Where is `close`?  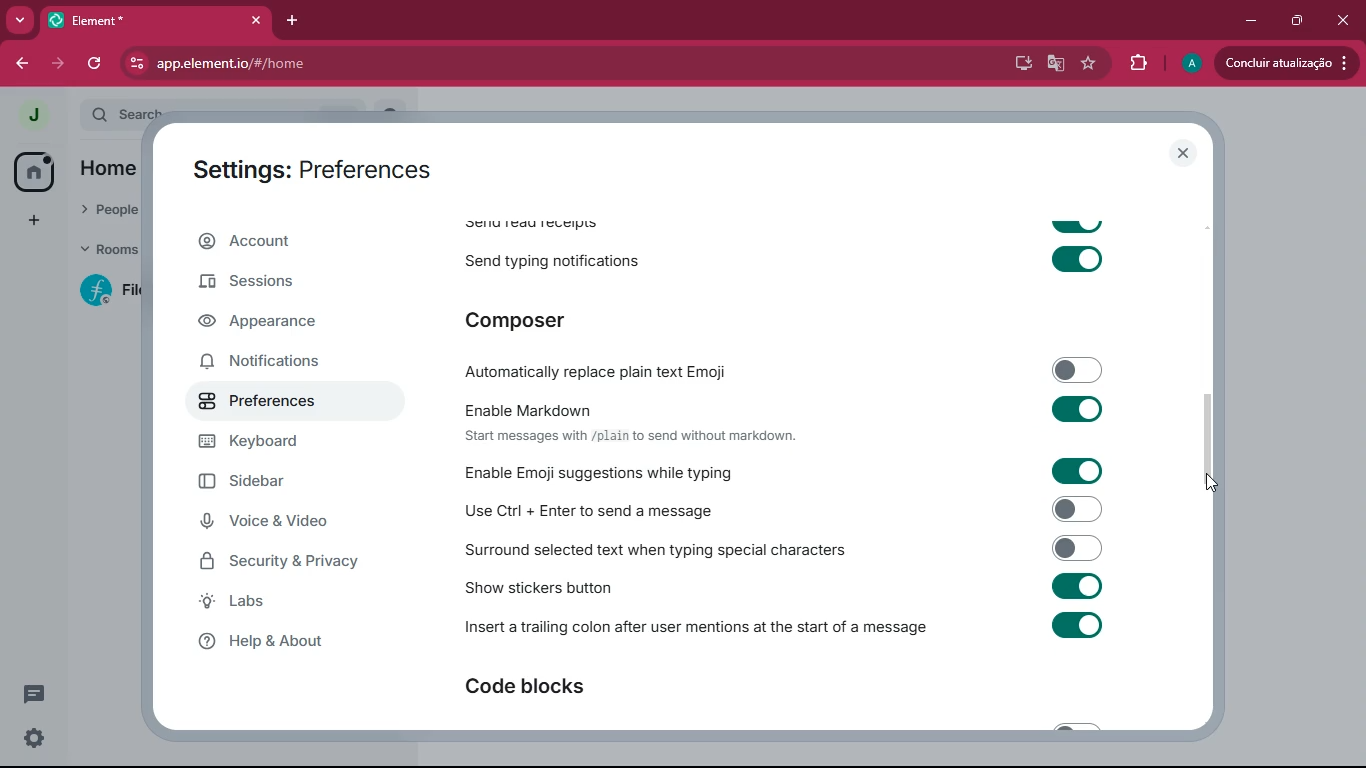 close is located at coordinates (1342, 17).